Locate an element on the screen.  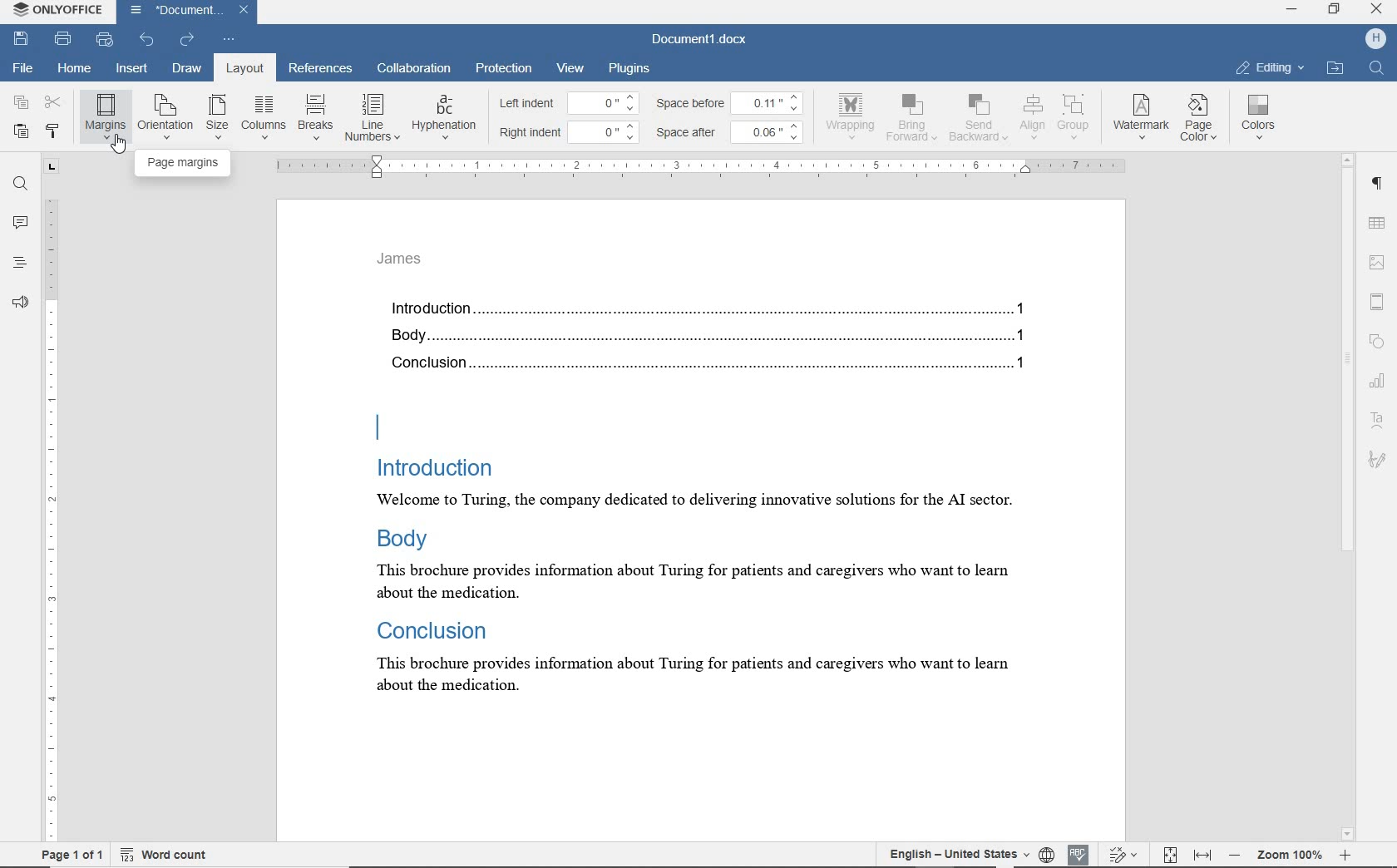
EDITING is located at coordinates (1270, 67).